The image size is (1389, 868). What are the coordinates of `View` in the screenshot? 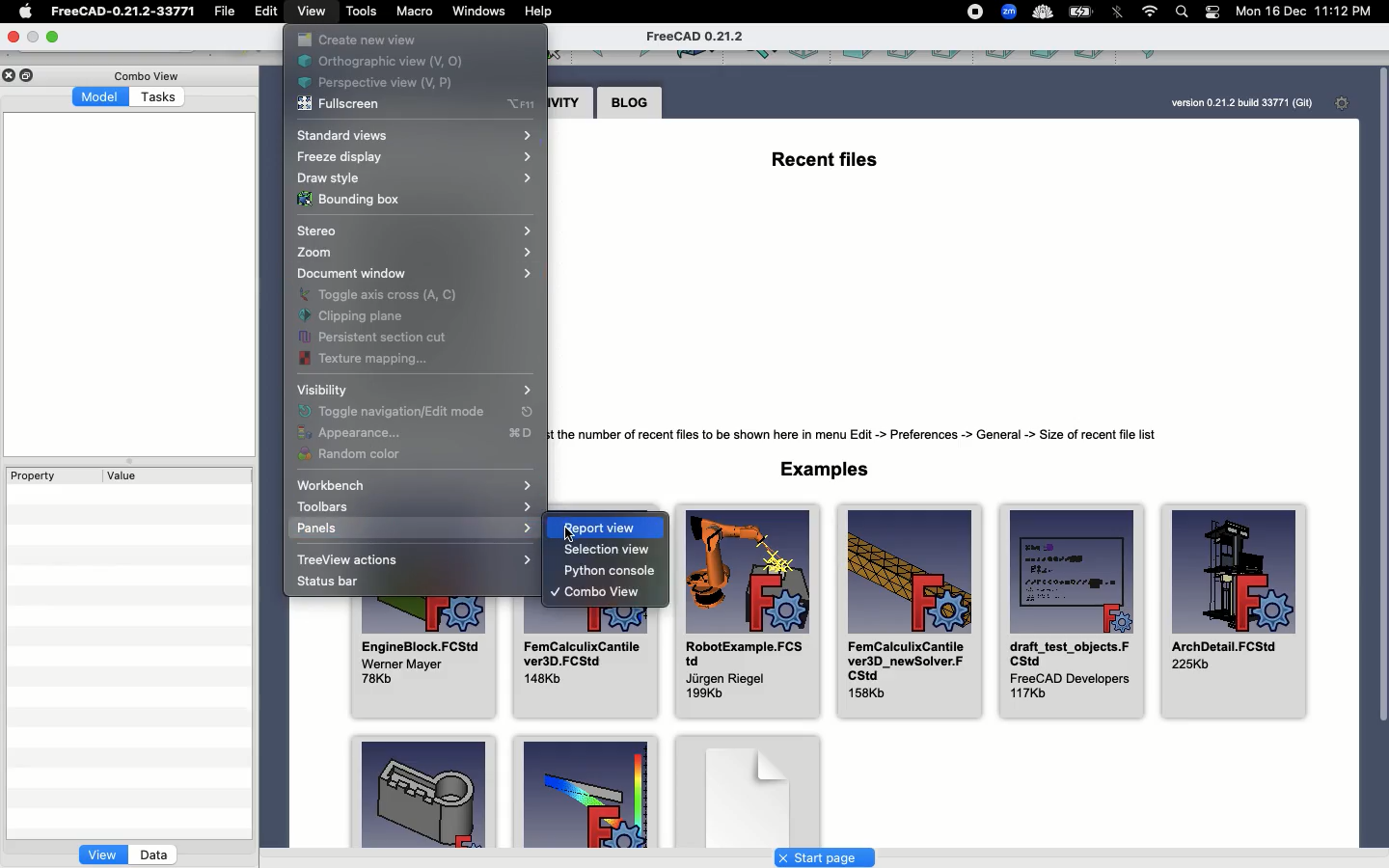 It's located at (314, 14).